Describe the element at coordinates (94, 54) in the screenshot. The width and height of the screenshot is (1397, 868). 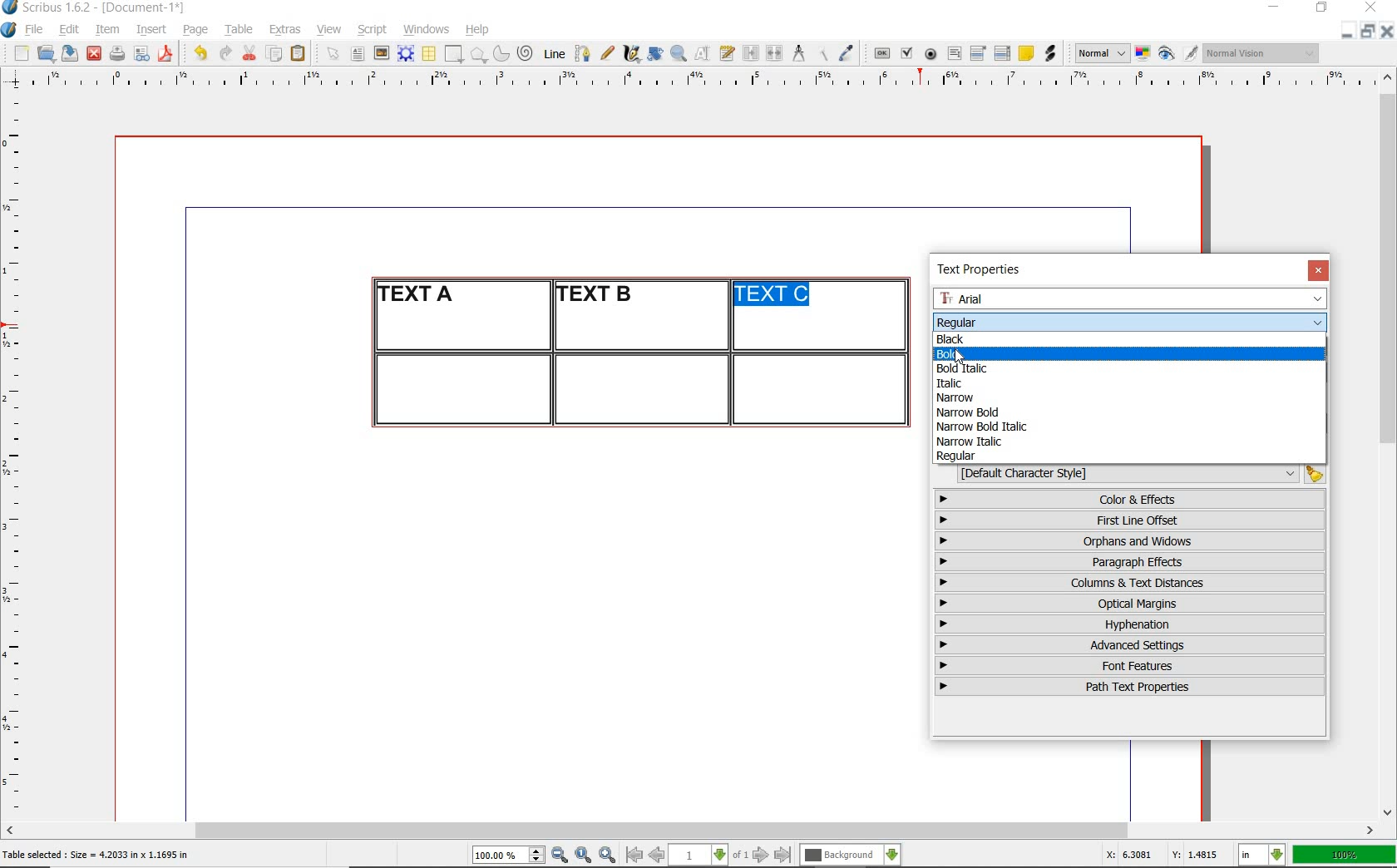
I see `close` at that location.